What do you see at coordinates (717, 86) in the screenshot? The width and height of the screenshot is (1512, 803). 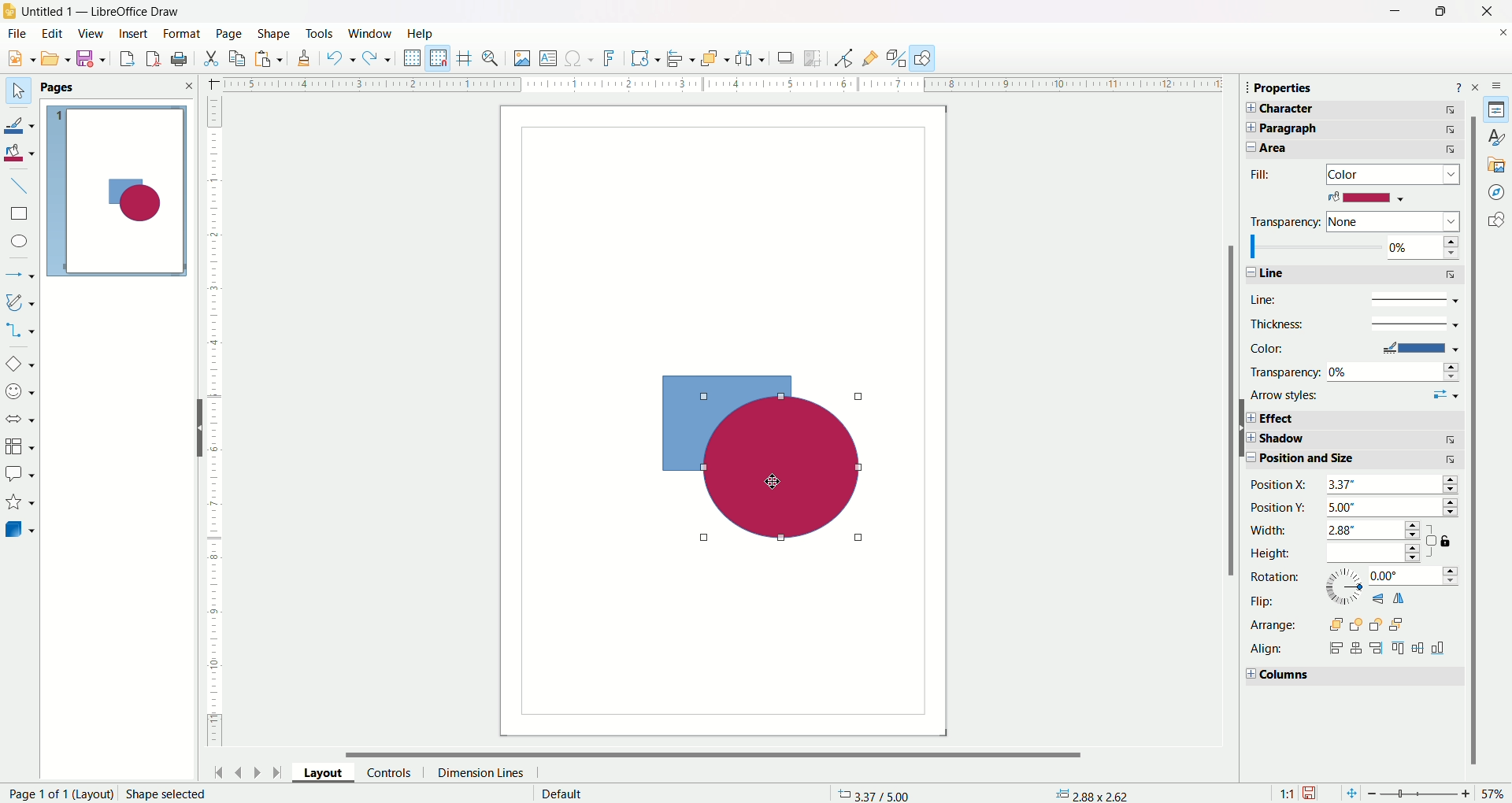 I see `horizontal ruler` at bounding box center [717, 86].